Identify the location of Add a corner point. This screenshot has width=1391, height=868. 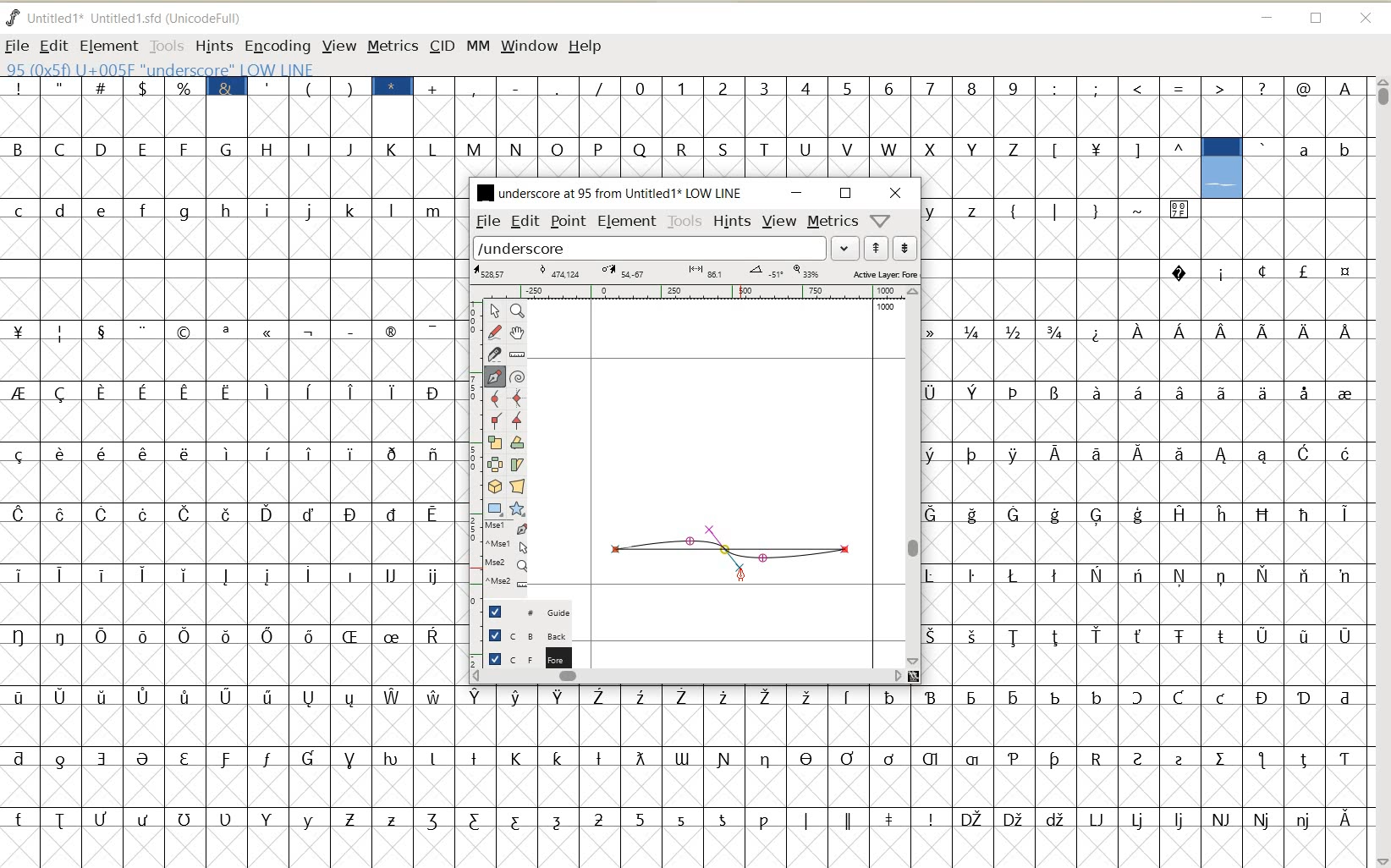
(496, 420).